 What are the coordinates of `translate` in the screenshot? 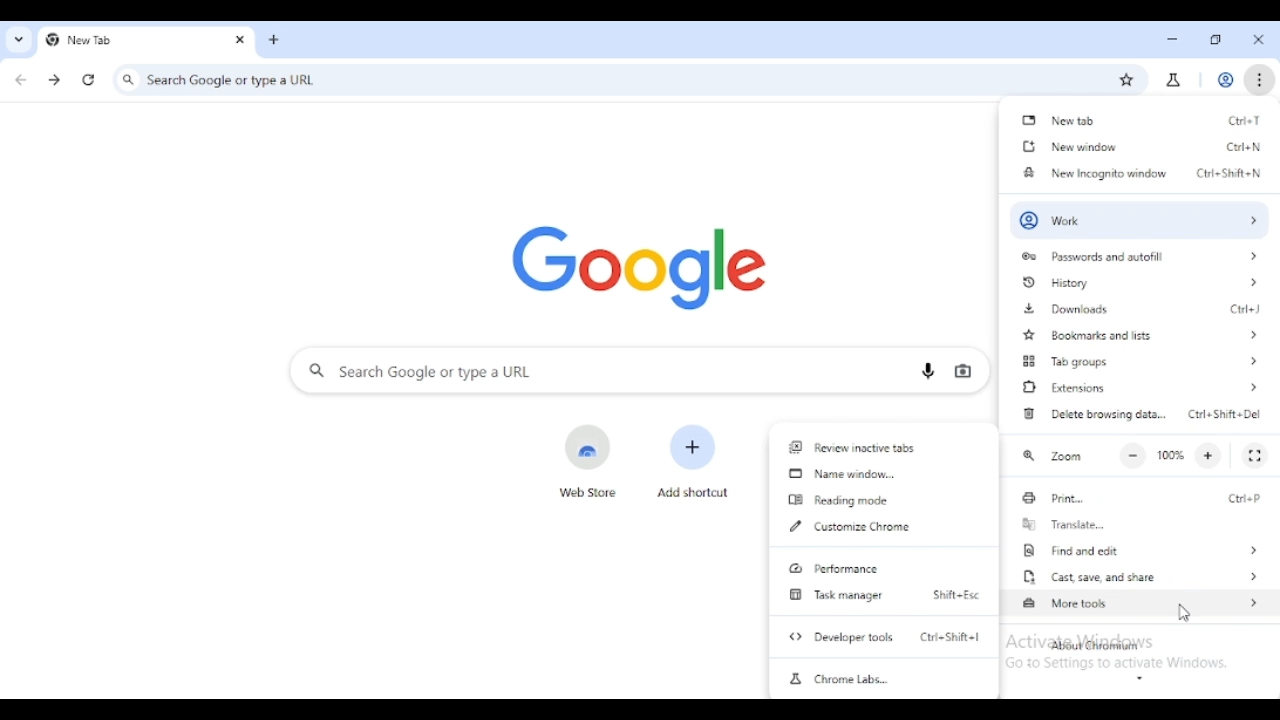 It's located at (1067, 524).